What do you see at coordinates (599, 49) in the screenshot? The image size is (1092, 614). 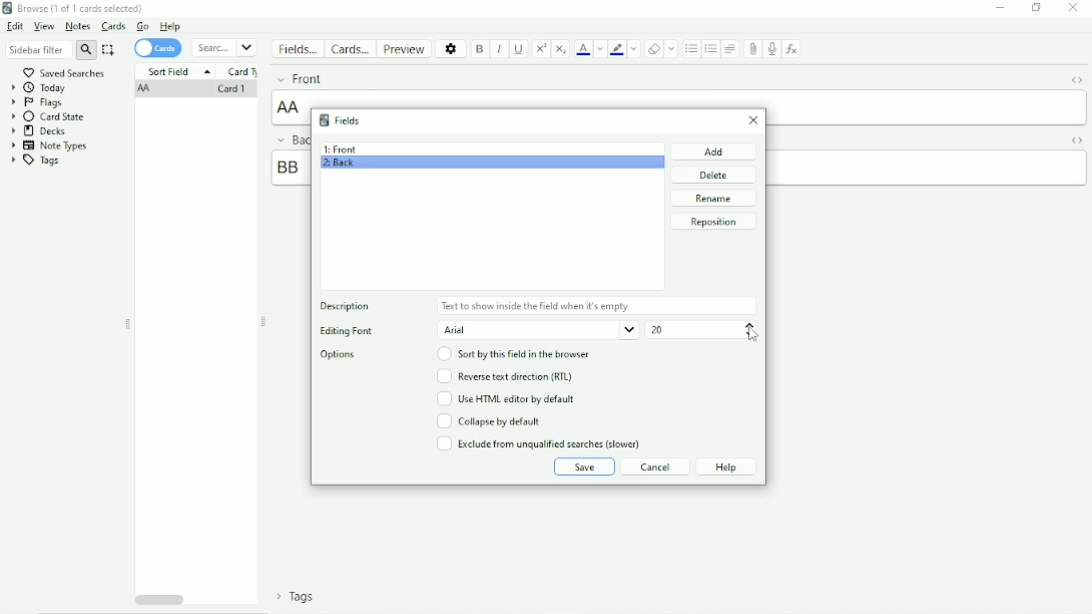 I see `Change color` at bounding box center [599, 49].